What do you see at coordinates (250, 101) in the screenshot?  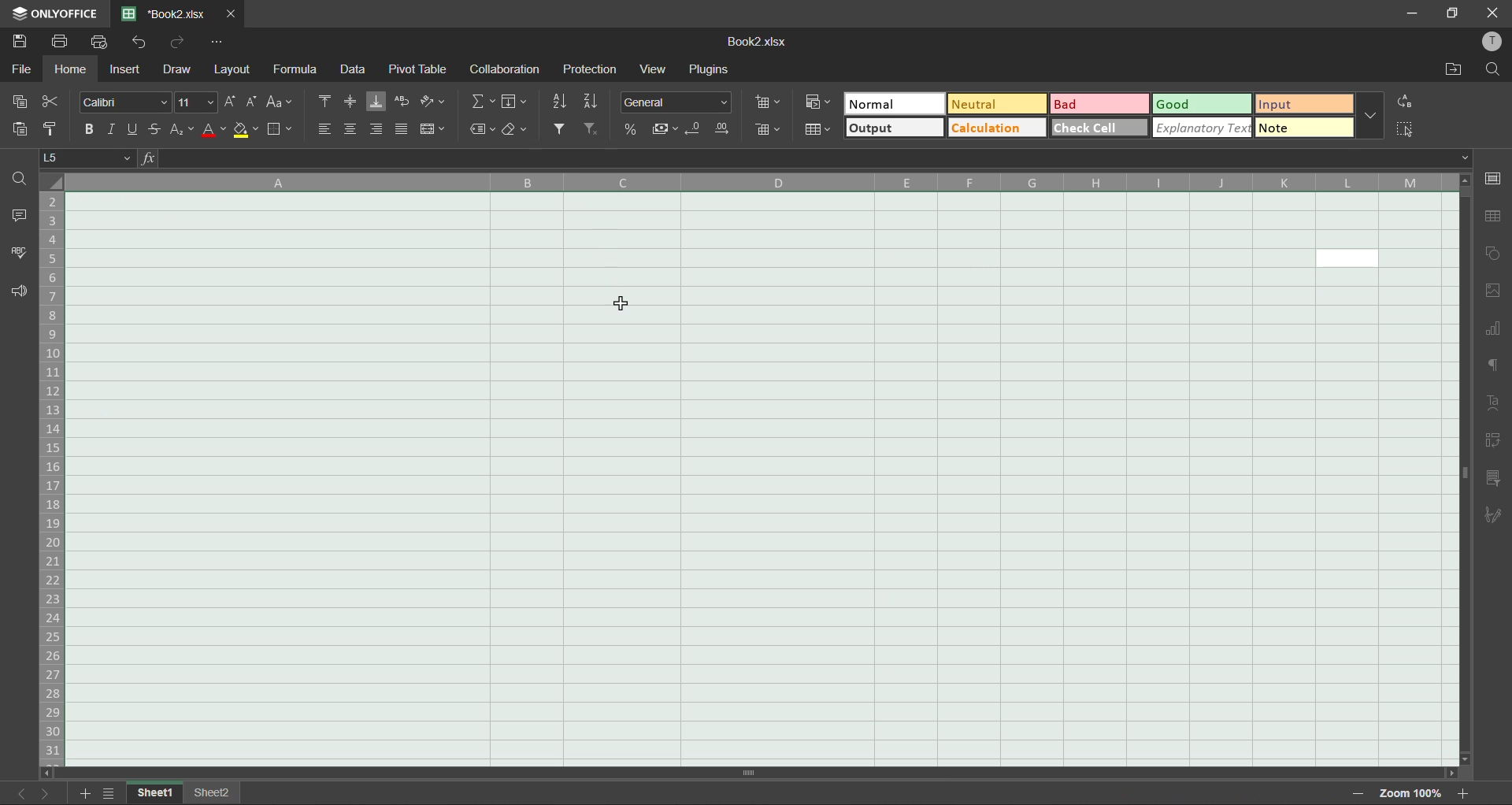 I see `decrement size` at bounding box center [250, 101].